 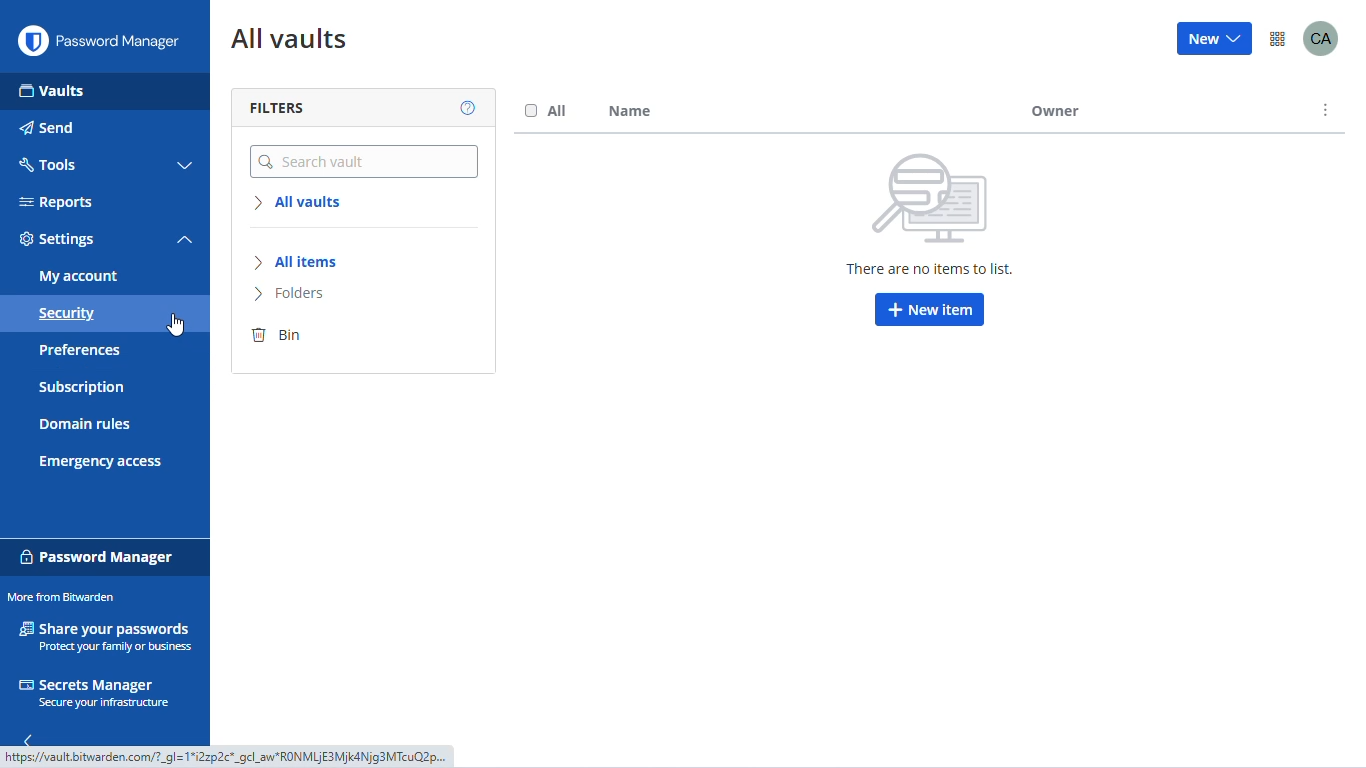 What do you see at coordinates (82, 388) in the screenshot?
I see `subscription` at bounding box center [82, 388].